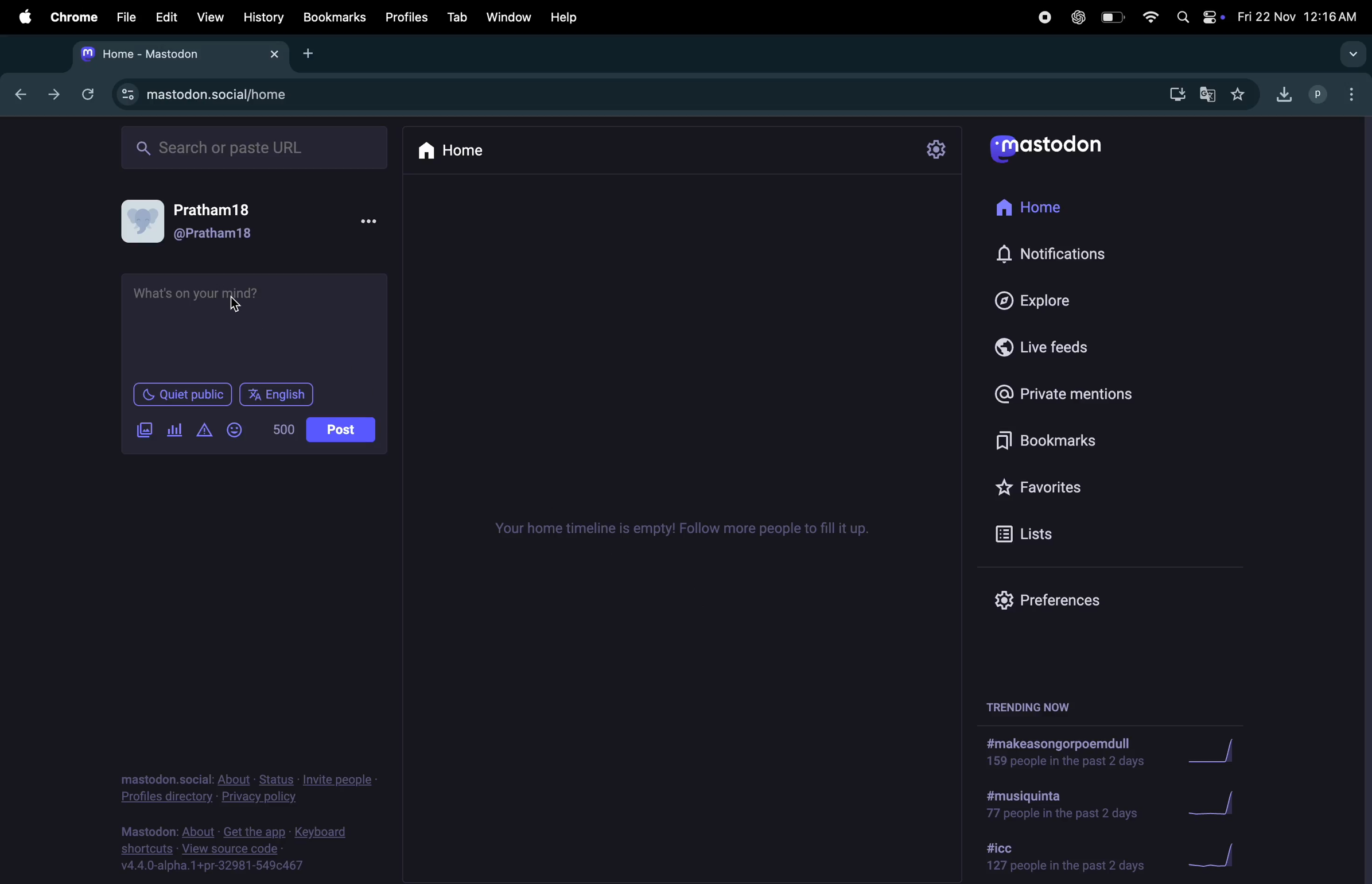 The height and width of the screenshot is (884, 1372). What do you see at coordinates (1064, 394) in the screenshot?
I see `private mentions` at bounding box center [1064, 394].